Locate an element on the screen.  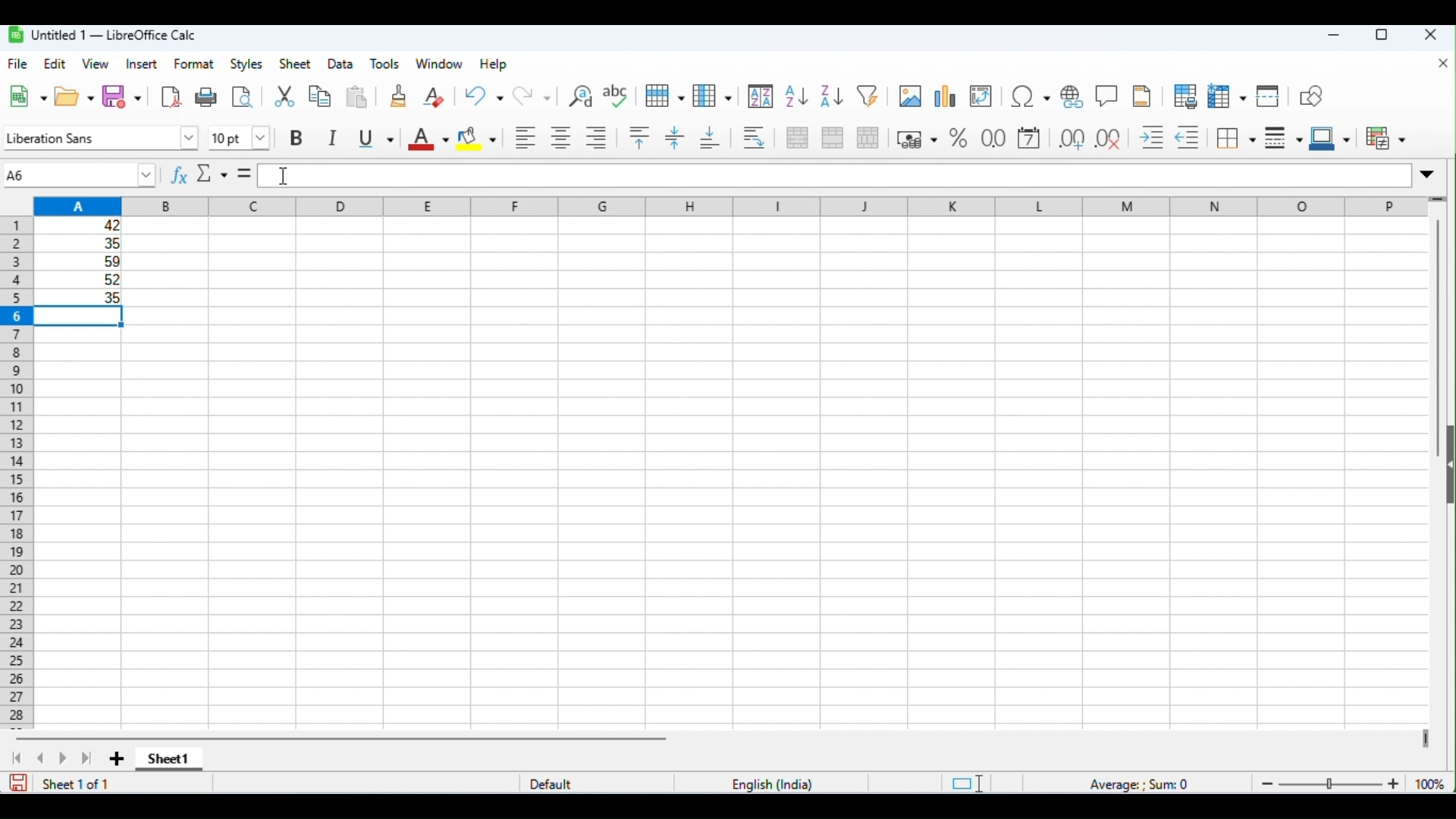
toggle print preview is located at coordinates (242, 99).